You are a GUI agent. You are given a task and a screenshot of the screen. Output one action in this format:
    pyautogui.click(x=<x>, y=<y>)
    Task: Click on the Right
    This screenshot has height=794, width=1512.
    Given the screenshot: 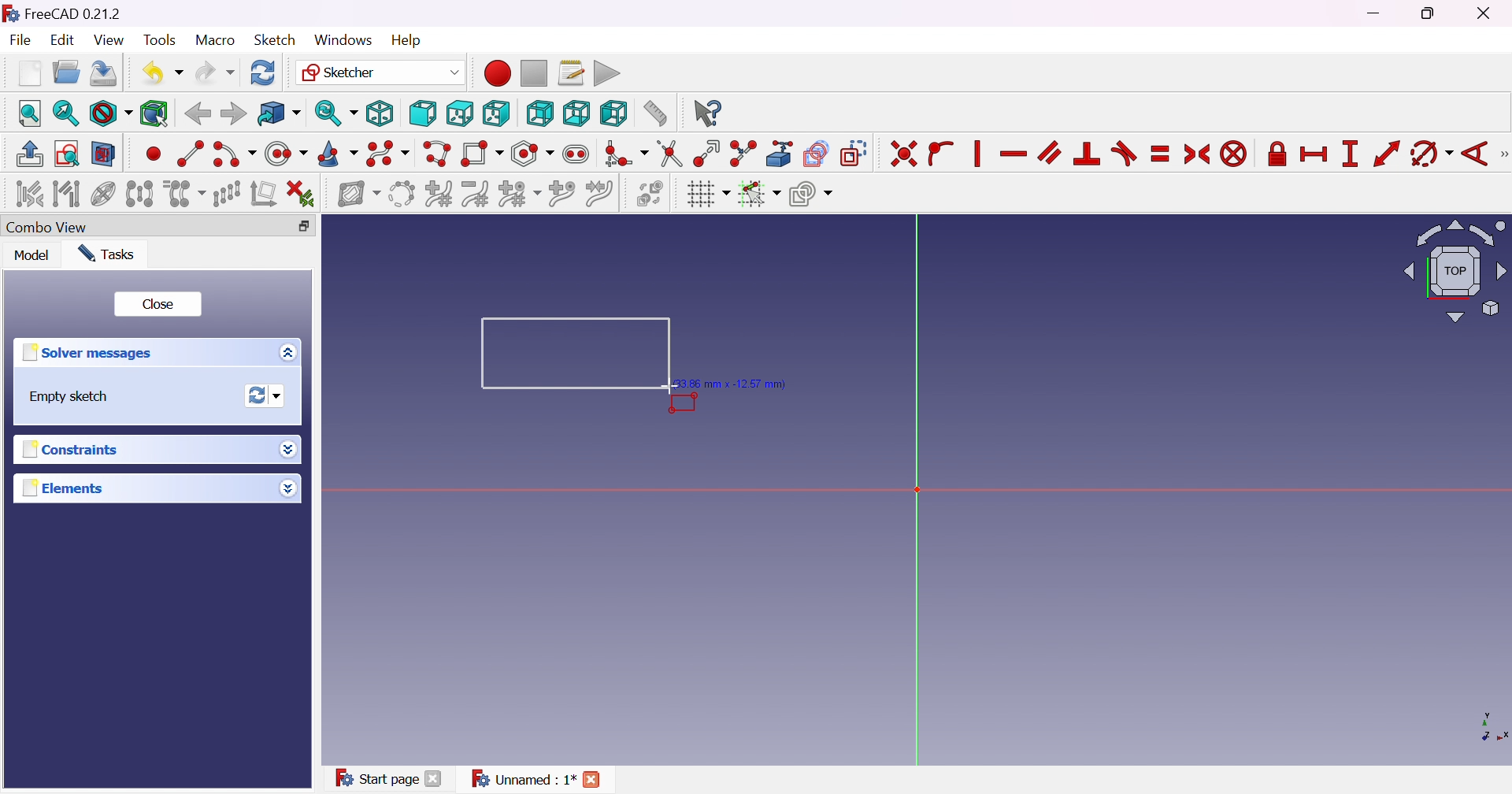 What is the action you would take?
    pyautogui.click(x=495, y=113)
    